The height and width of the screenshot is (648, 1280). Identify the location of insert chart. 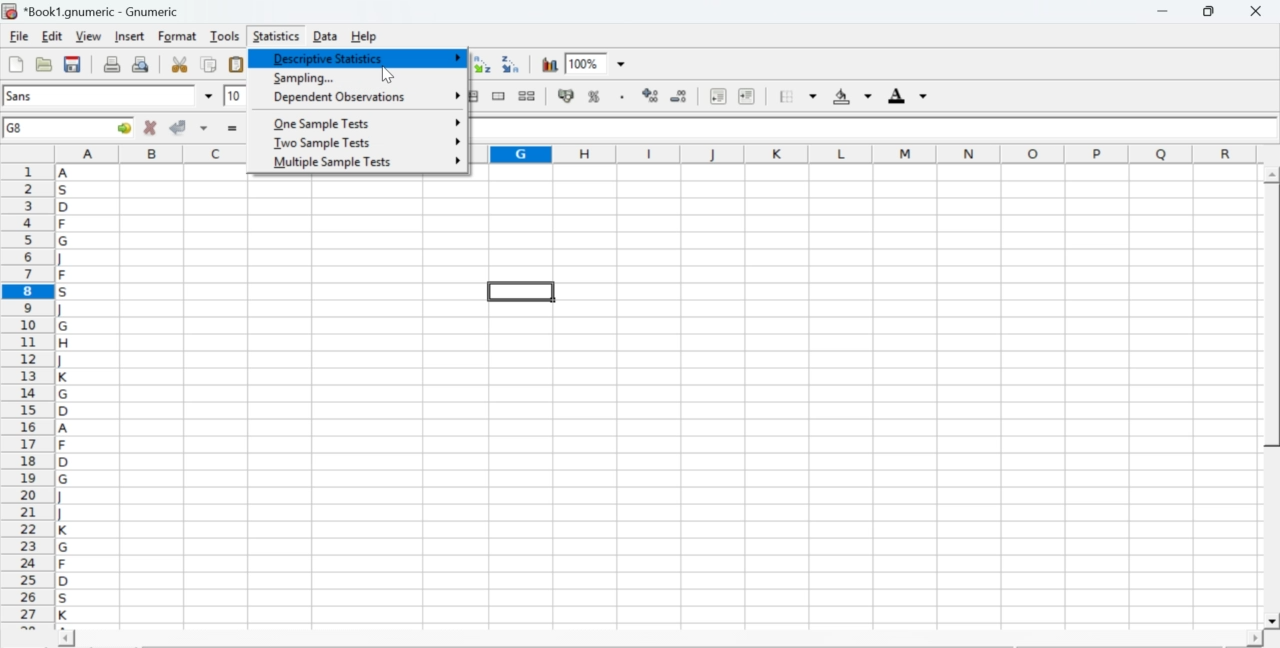
(550, 63).